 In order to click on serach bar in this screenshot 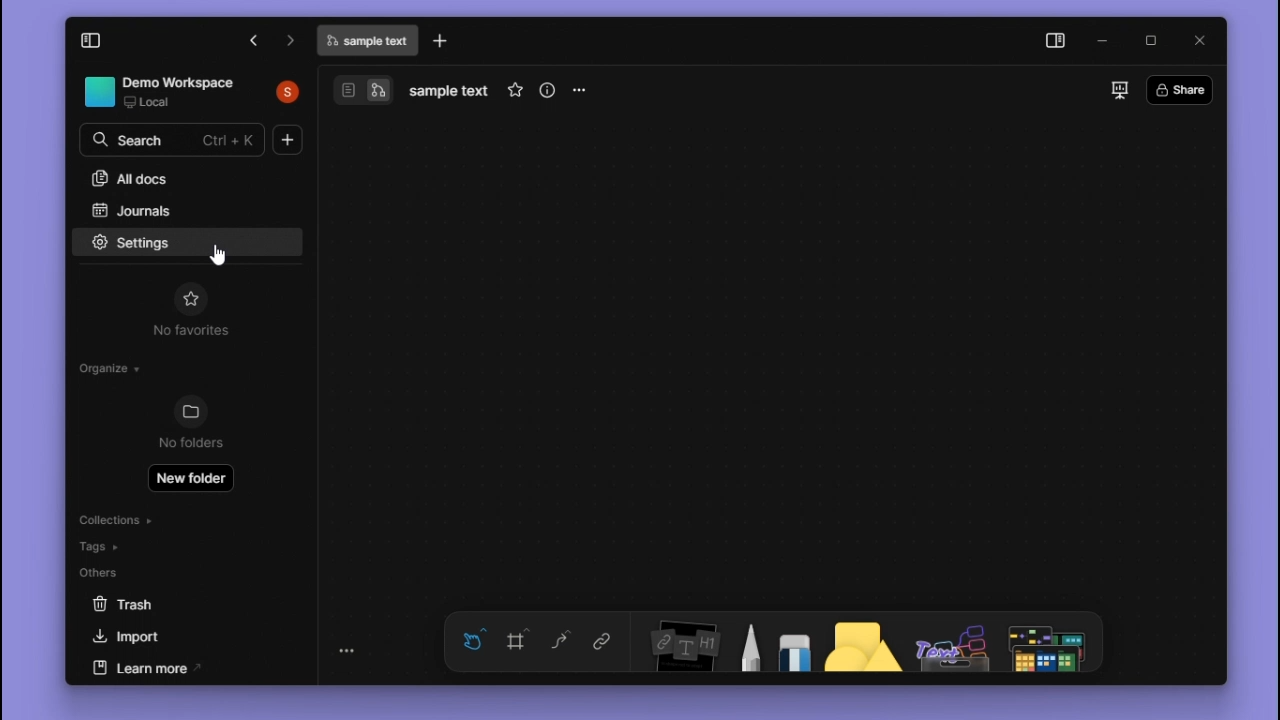, I will do `click(176, 142)`.